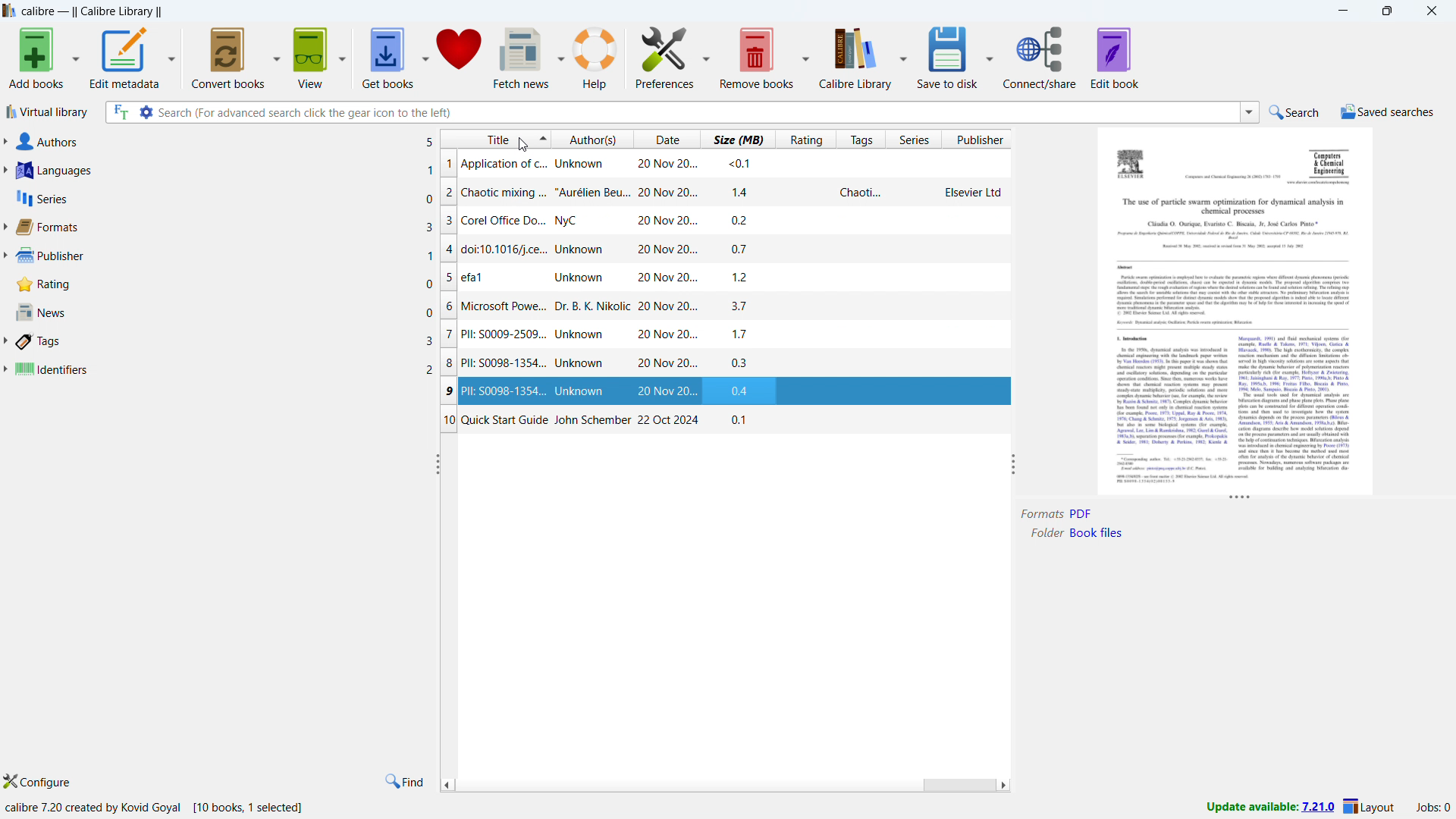 The width and height of the screenshot is (1456, 819). Describe the element at coordinates (914, 140) in the screenshot. I see `sort by series` at that location.